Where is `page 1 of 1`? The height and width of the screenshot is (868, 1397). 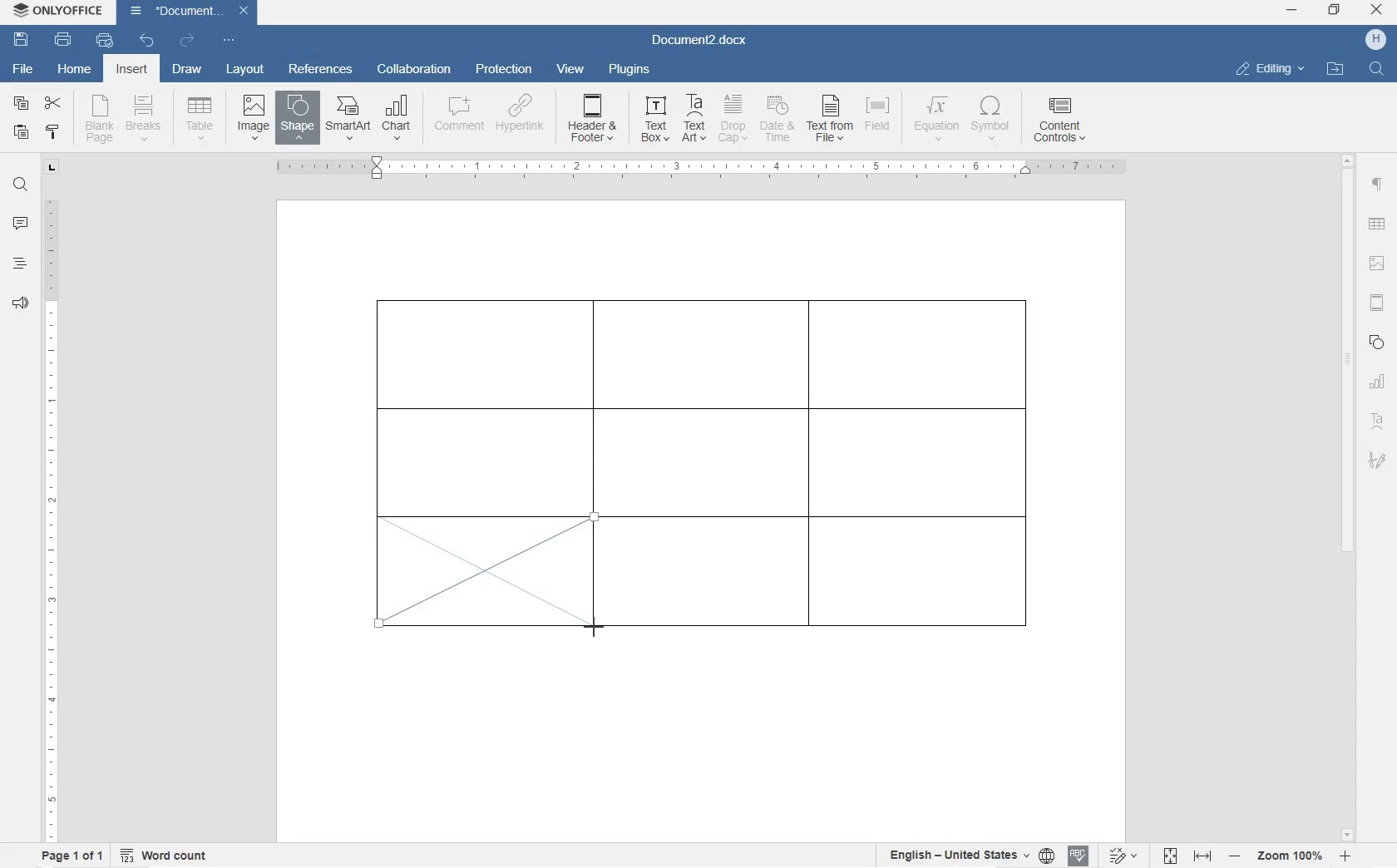
page 1 of 1 is located at coordinates (70, 856).